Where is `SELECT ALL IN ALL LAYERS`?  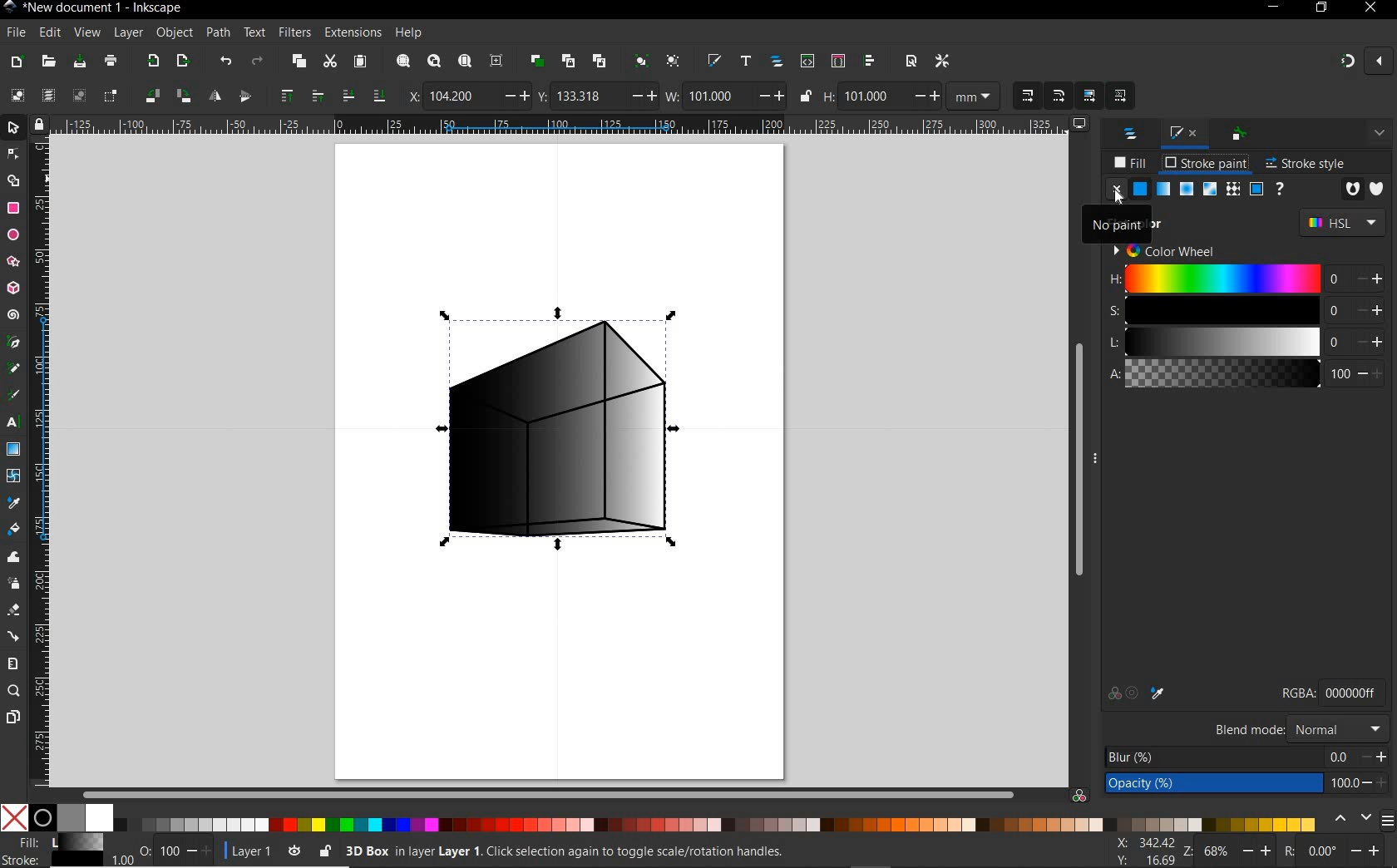 SELECT ALL IN ALL LAYERS is located at coordinates (47, 95).